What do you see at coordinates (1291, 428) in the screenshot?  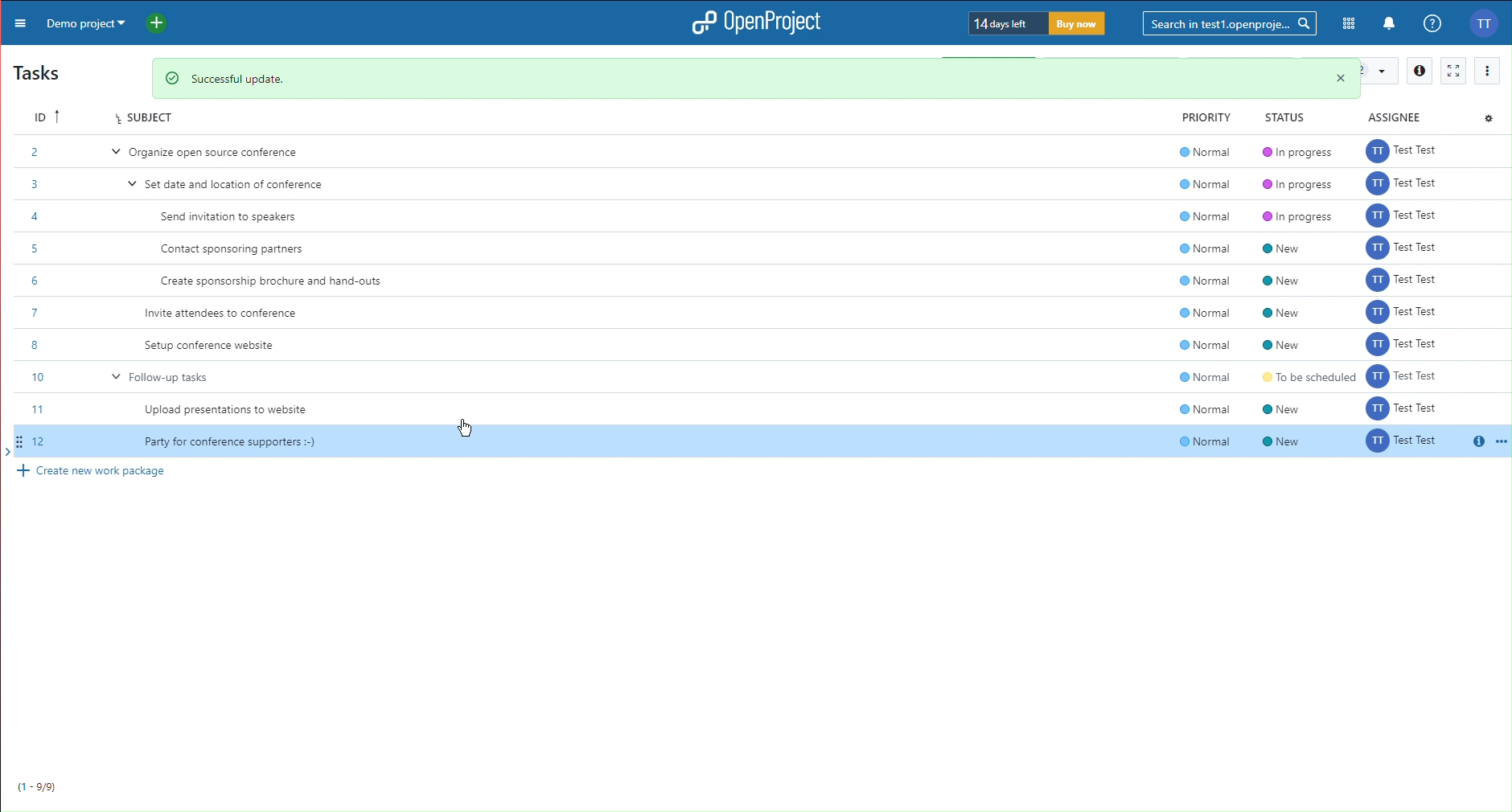 I see `new` at bounding box center [1291, 428].